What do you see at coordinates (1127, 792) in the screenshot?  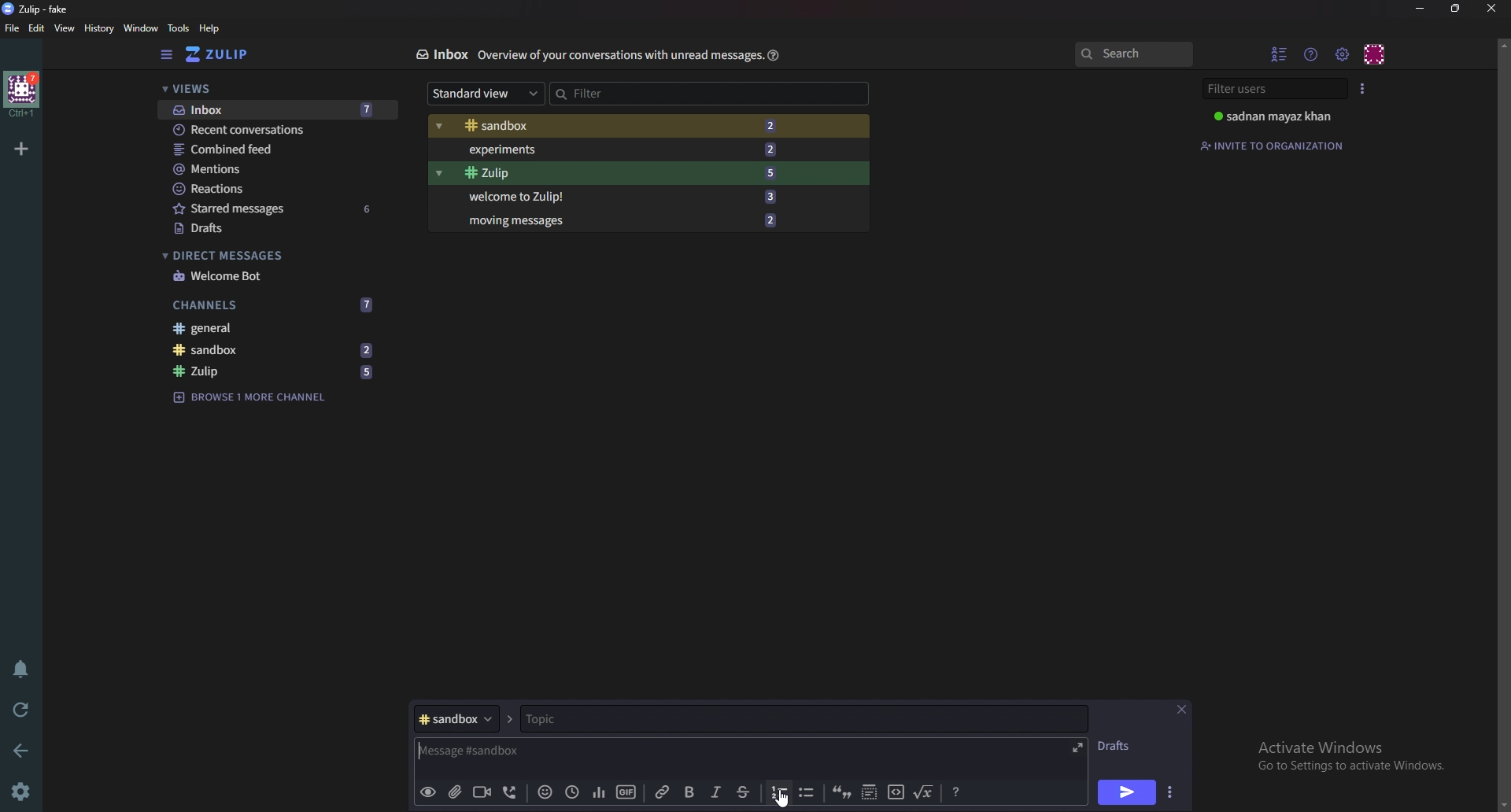 I see `Send` at bounding box center [1127, 792].